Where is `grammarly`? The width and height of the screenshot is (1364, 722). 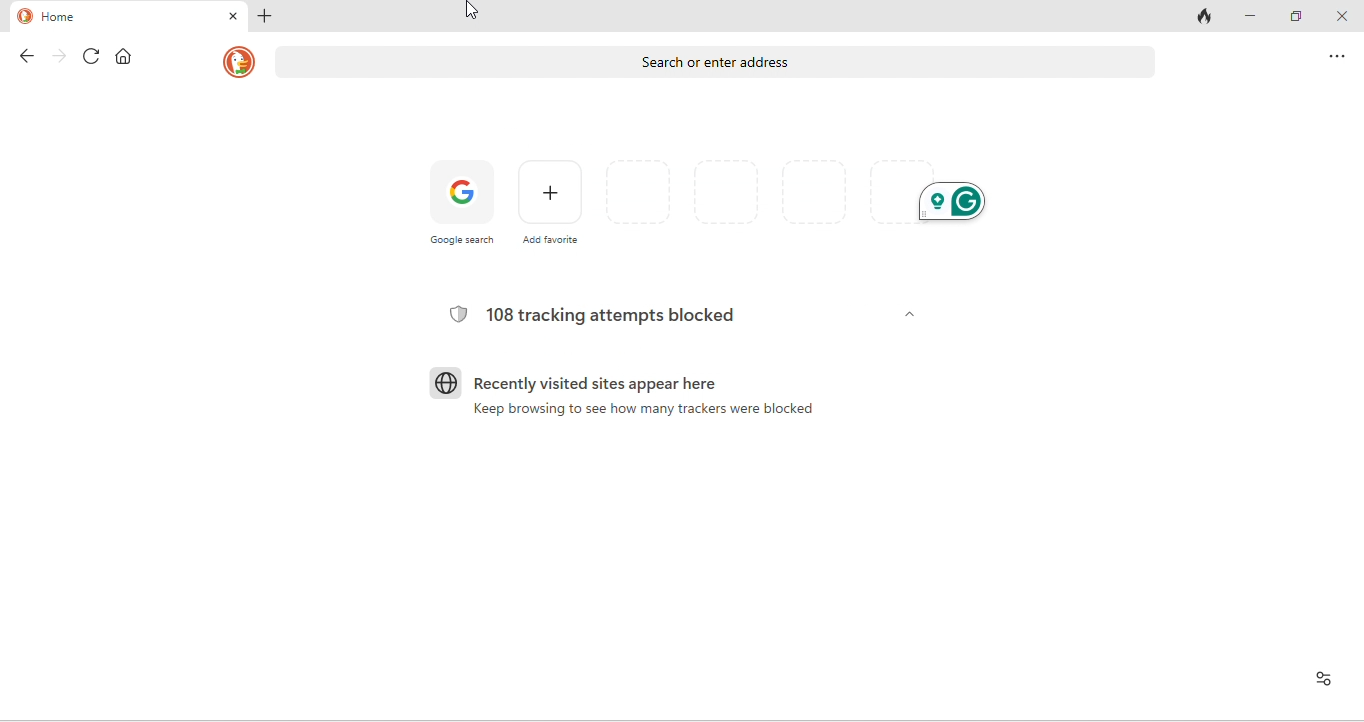 grammarly is located at coordinates (950, 201).